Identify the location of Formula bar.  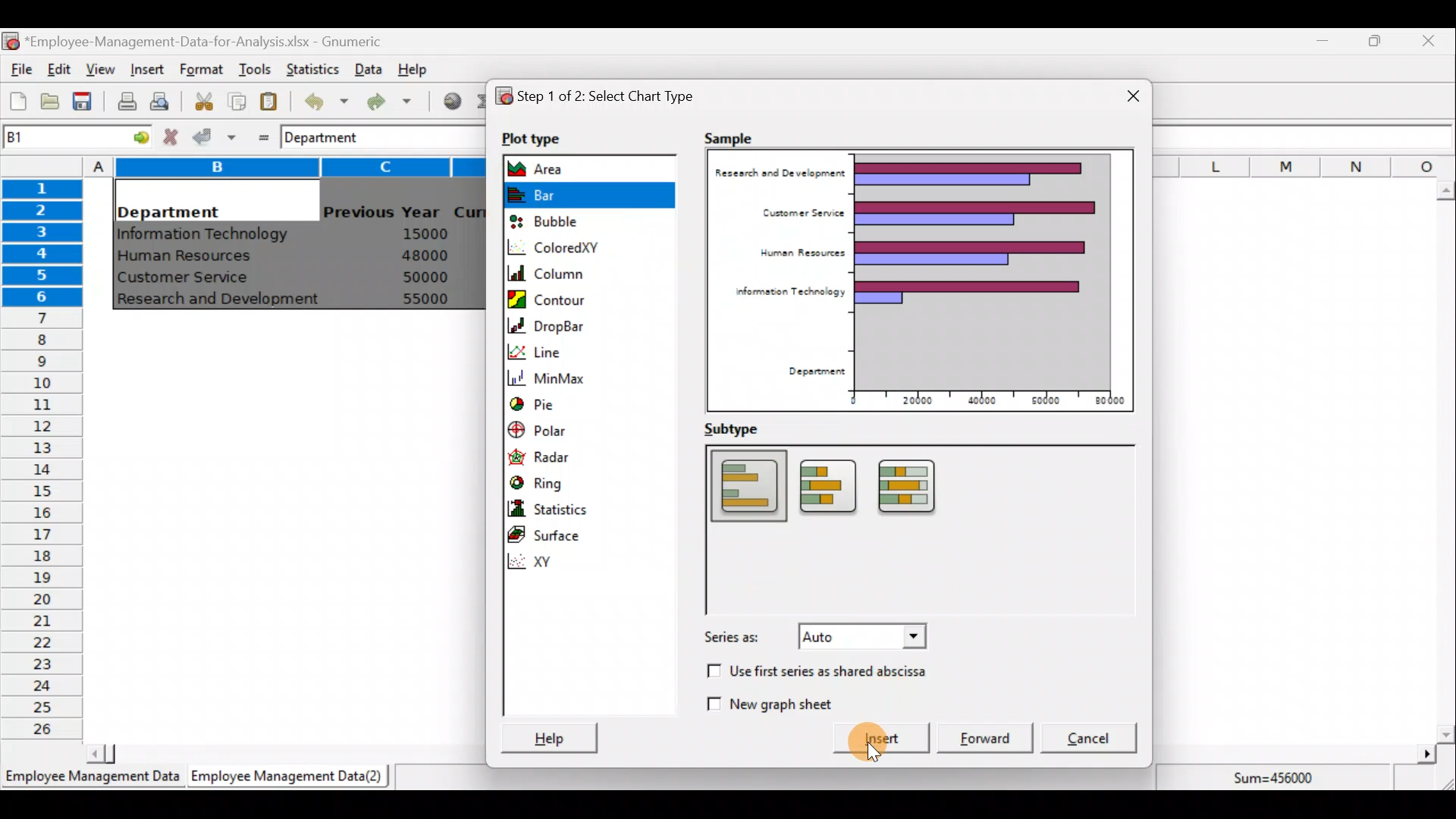
(438, 134).